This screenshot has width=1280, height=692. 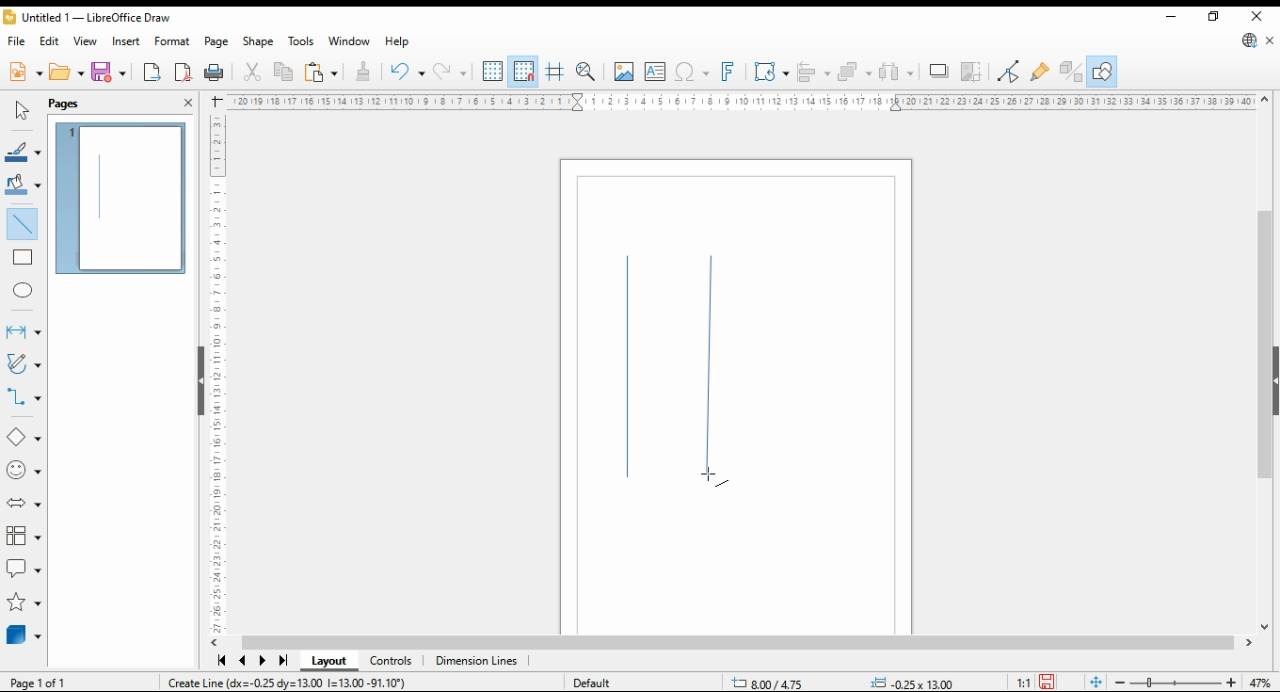 I want to click on zoom slider, so click(x=1176, y=682).